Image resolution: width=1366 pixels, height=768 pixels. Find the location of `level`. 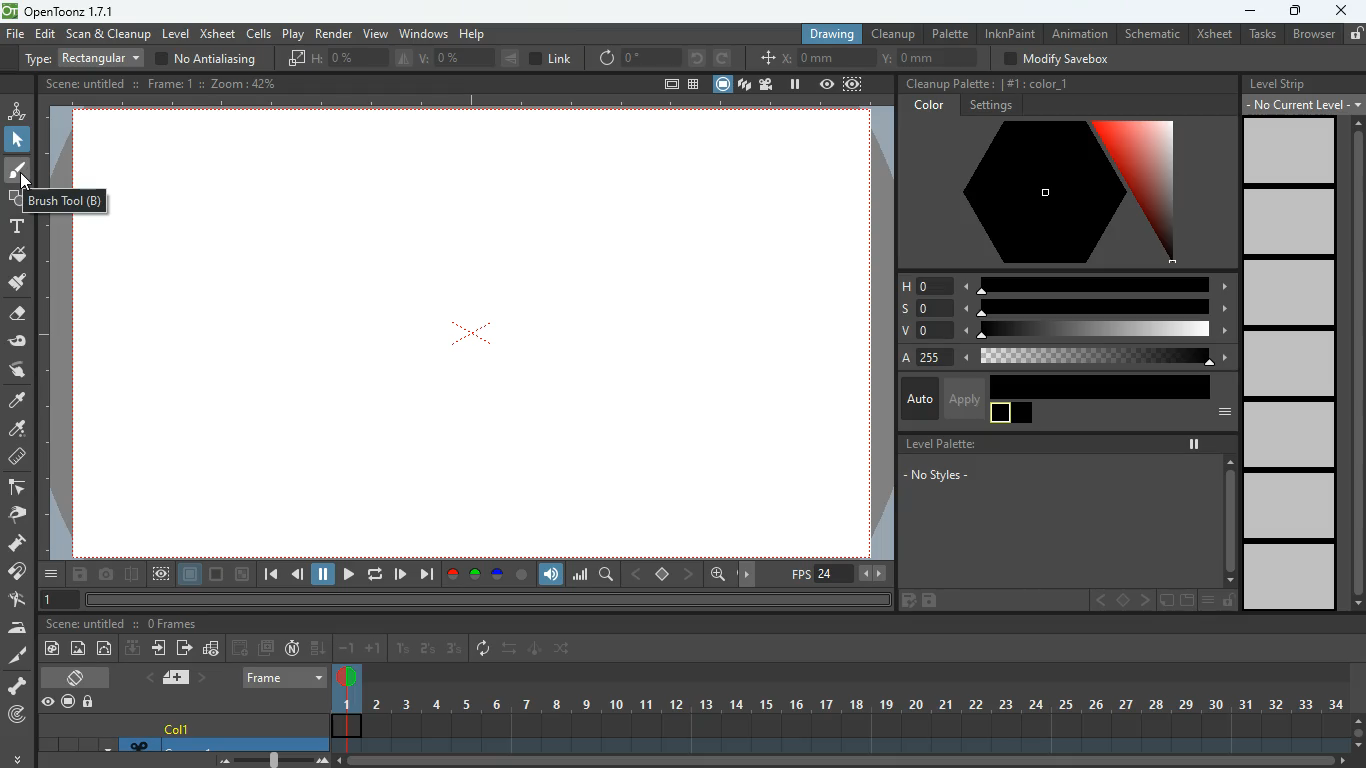

level is located at coordinates (1286, 292).